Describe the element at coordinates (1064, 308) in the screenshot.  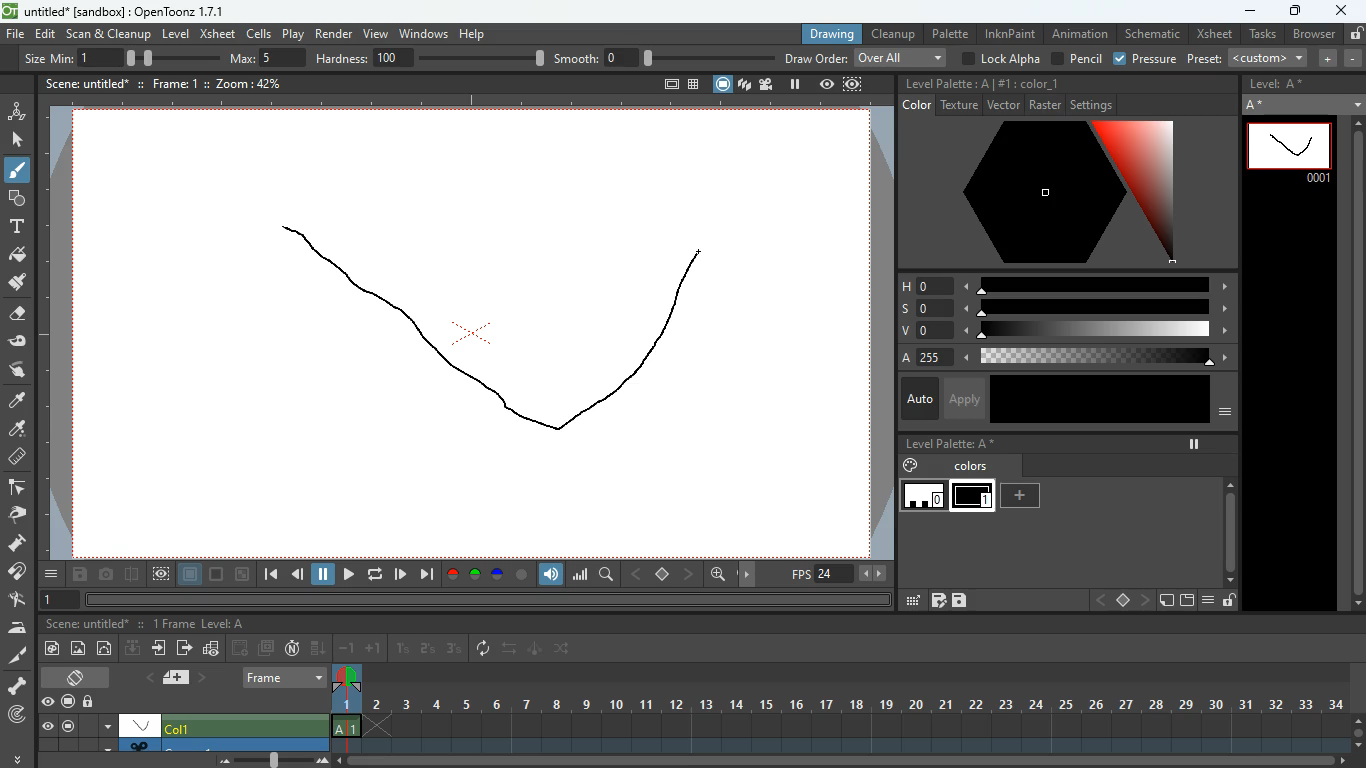
I see `s` at that location.